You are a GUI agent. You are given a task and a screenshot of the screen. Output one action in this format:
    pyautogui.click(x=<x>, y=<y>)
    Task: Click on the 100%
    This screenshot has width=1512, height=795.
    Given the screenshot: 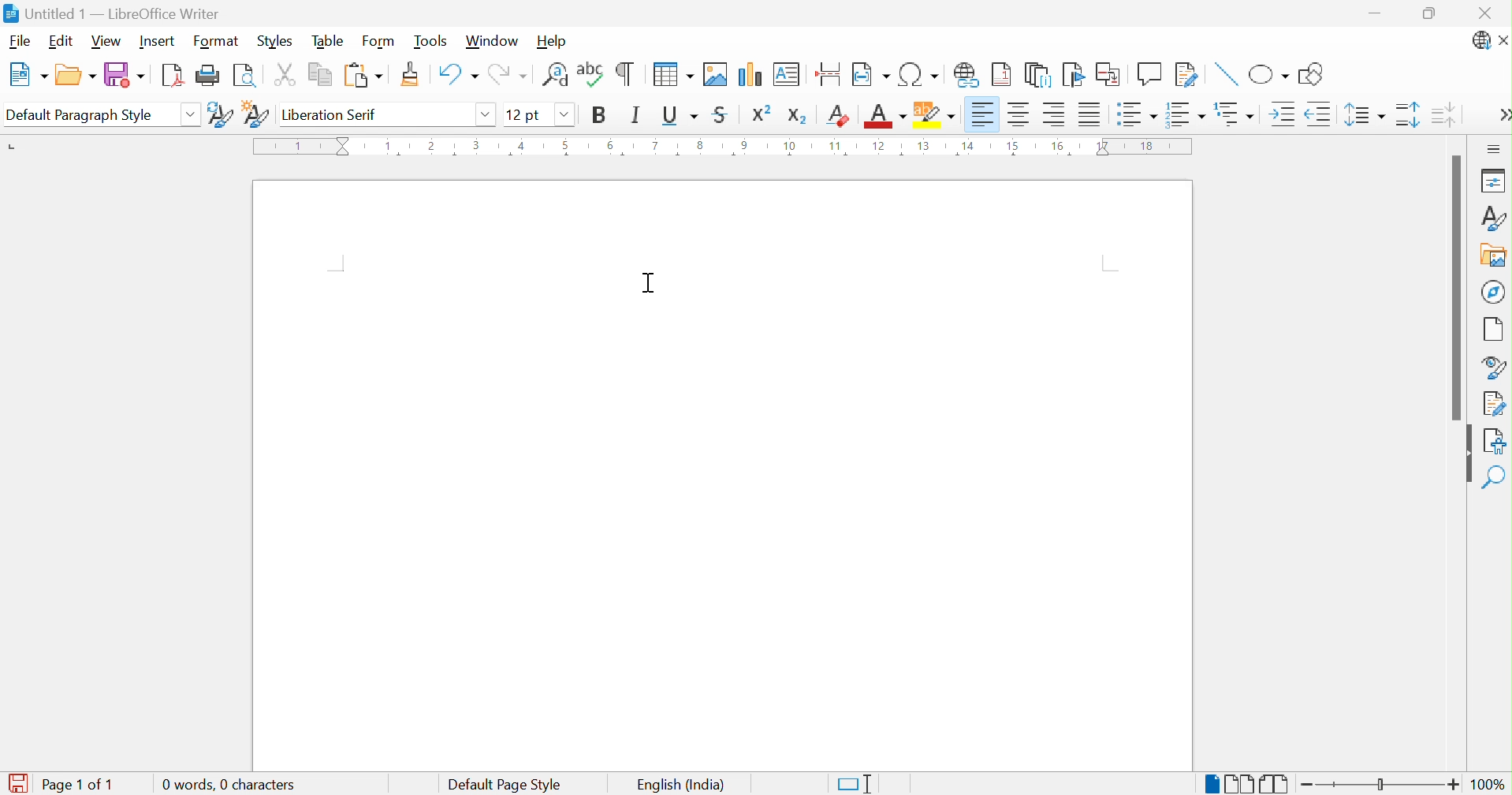 What is the action you would take?
    pyautogui.click(x=1488, y=785)
    